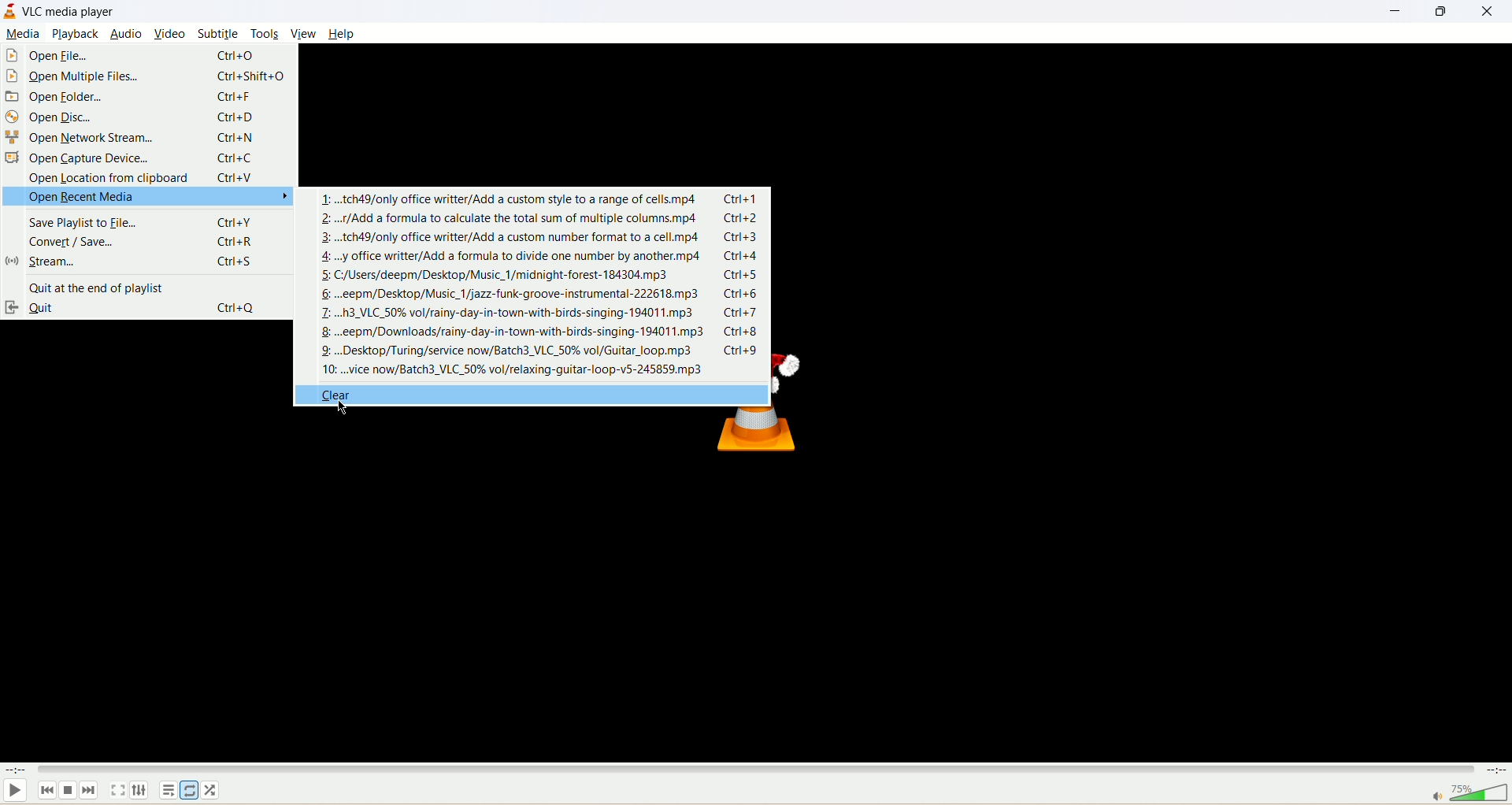 This screenshot has width=1512, height=805. What do you see at coordinates (151, 198) in the screenshot?
I see `open recent media` at bounding box center [151, 198].